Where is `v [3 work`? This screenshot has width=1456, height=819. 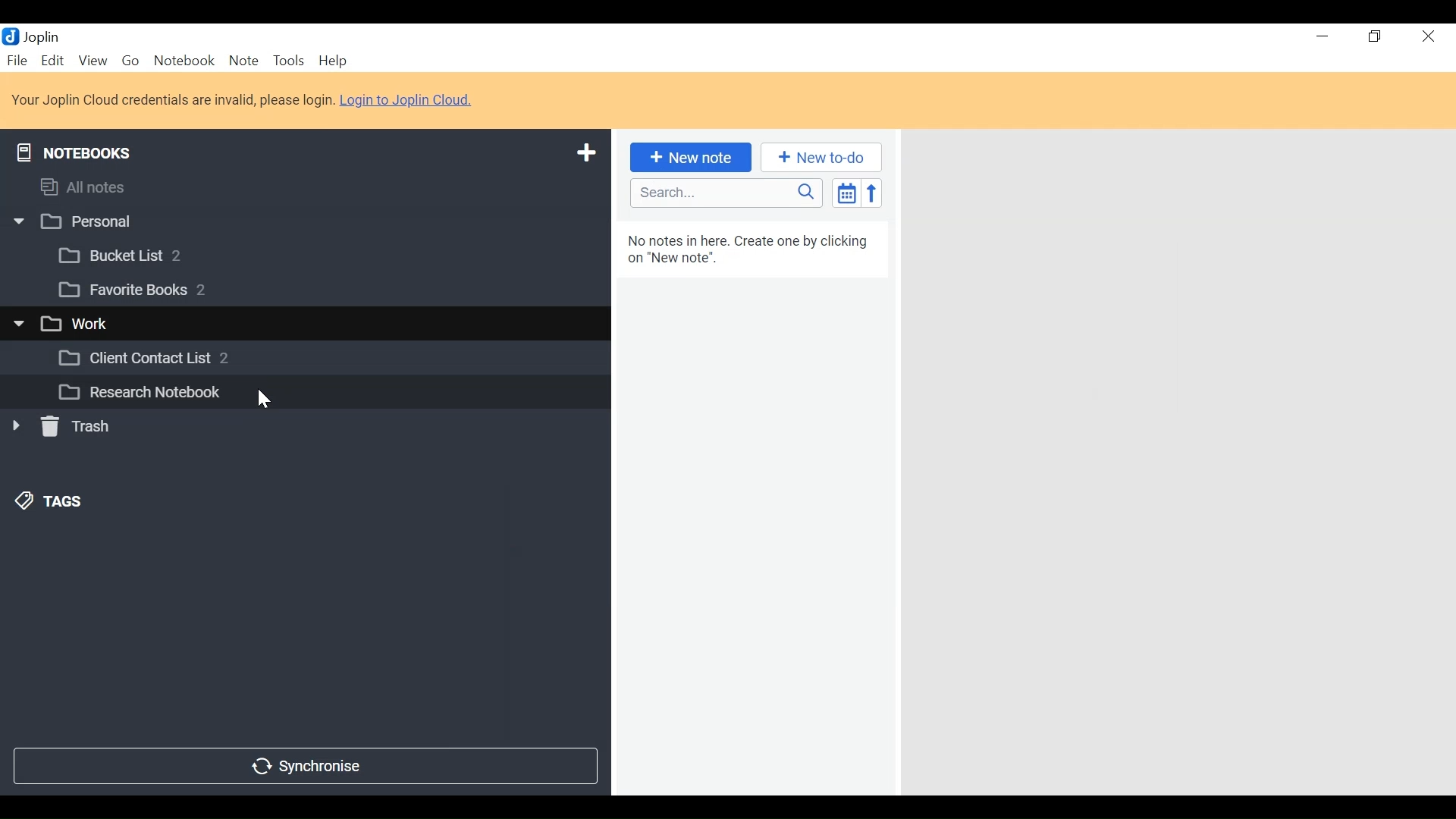
v [3 work is located at coordinates (78, 325).